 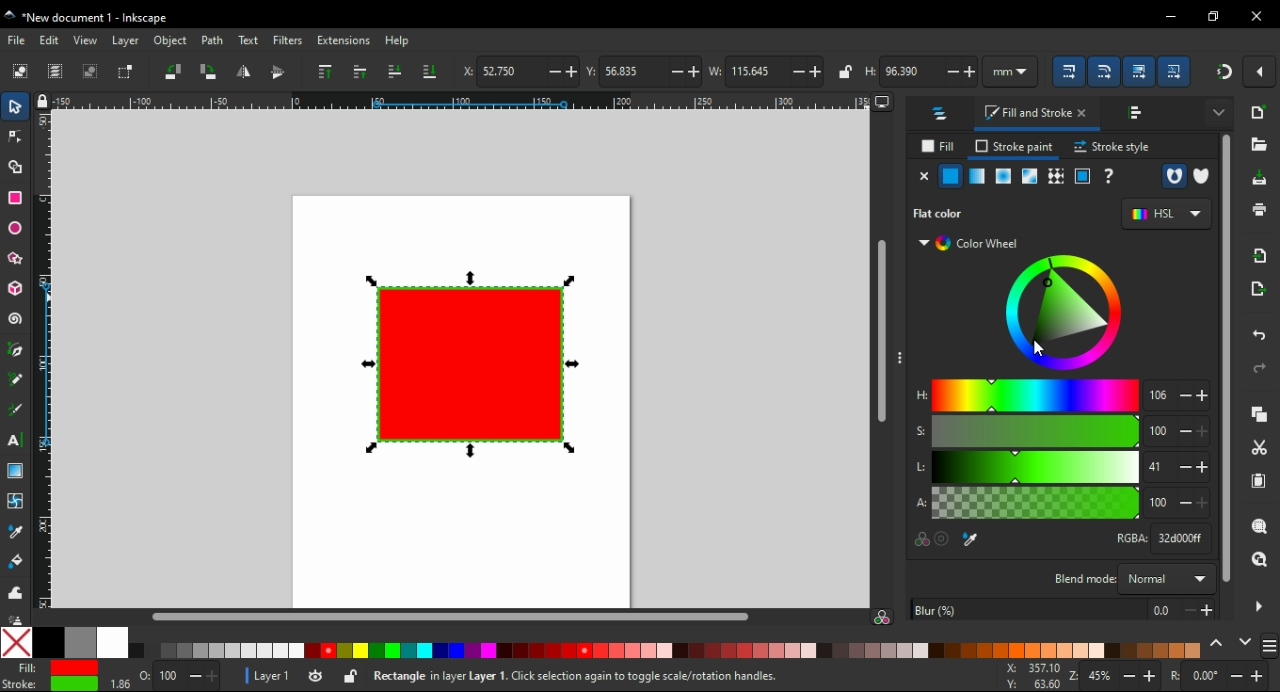 I want to click on RGBA code, so click(x=1129, y=538).